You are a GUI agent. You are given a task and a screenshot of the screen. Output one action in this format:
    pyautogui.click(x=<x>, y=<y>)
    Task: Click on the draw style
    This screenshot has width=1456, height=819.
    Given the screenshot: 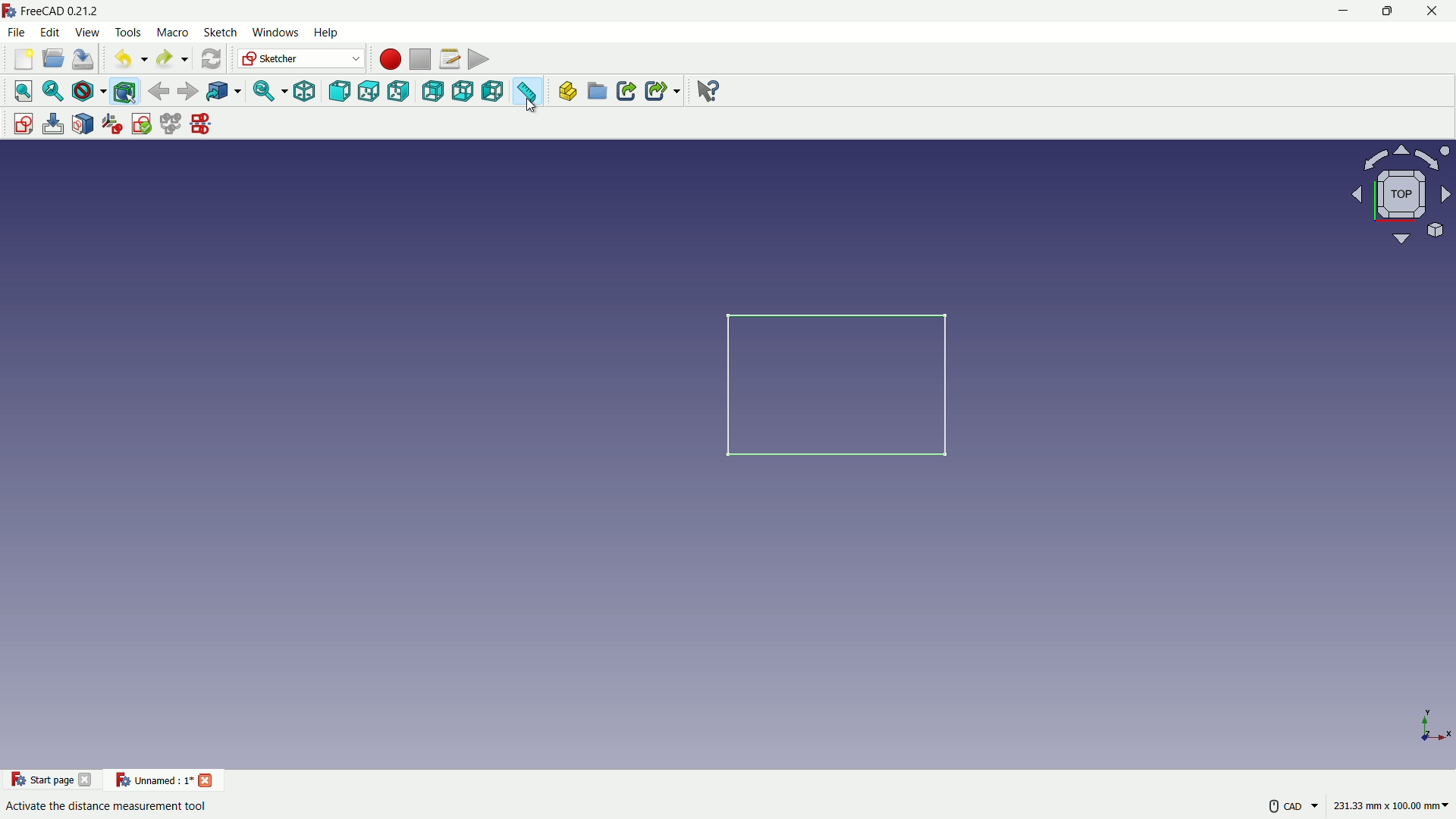 What is the action you would take?
    pyautogui.click(x=89, y=91)
    